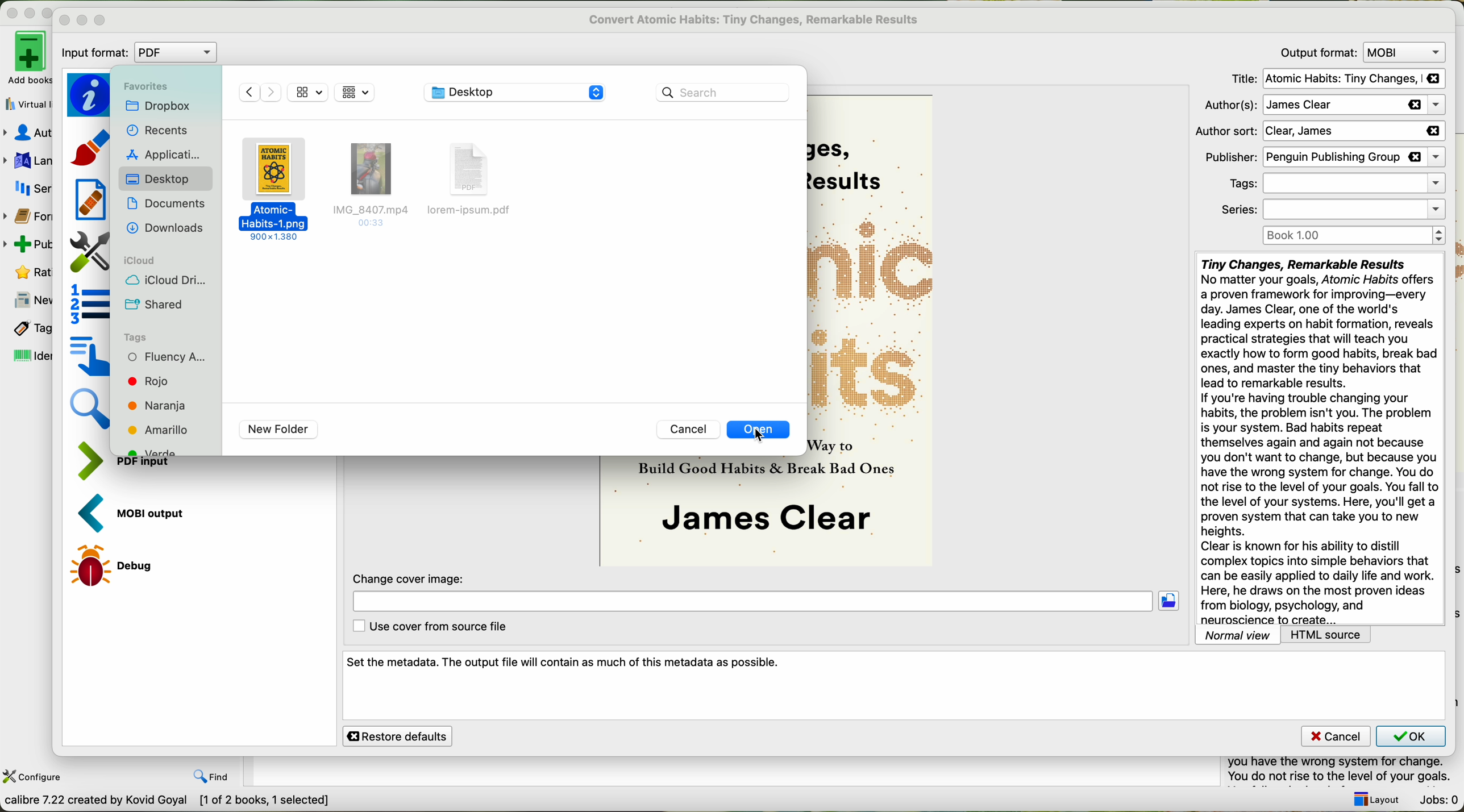  Describe the element at coordinates (1335, 736) in the screenshot. I see `cancel button` at that location.